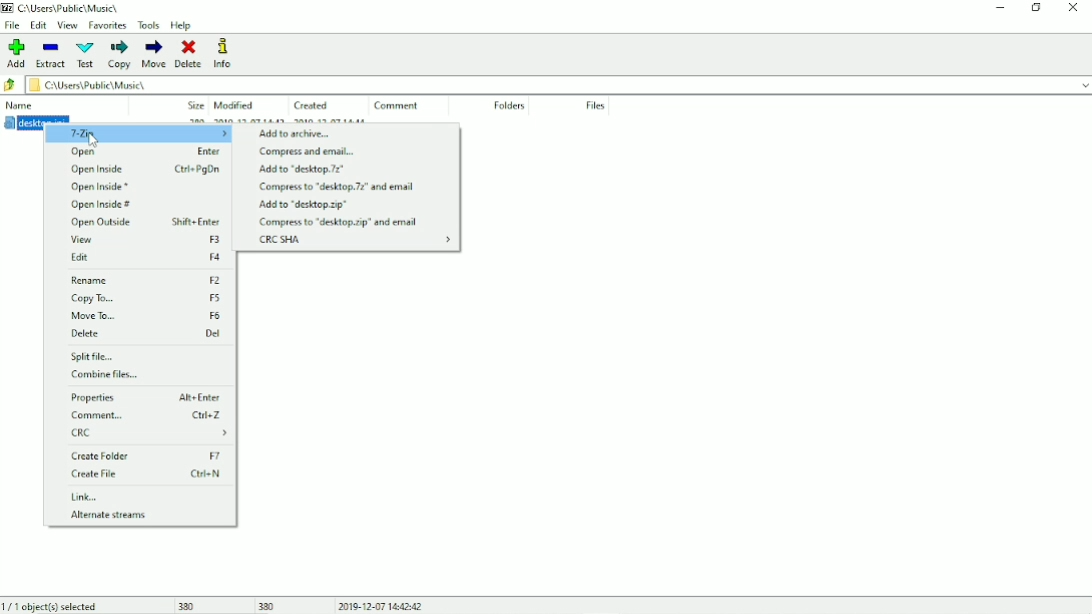 This screenshot has width=1092, height=614. Describe the element at coordinates (1074, 7) in the screenshot. I see `Close` at that location.